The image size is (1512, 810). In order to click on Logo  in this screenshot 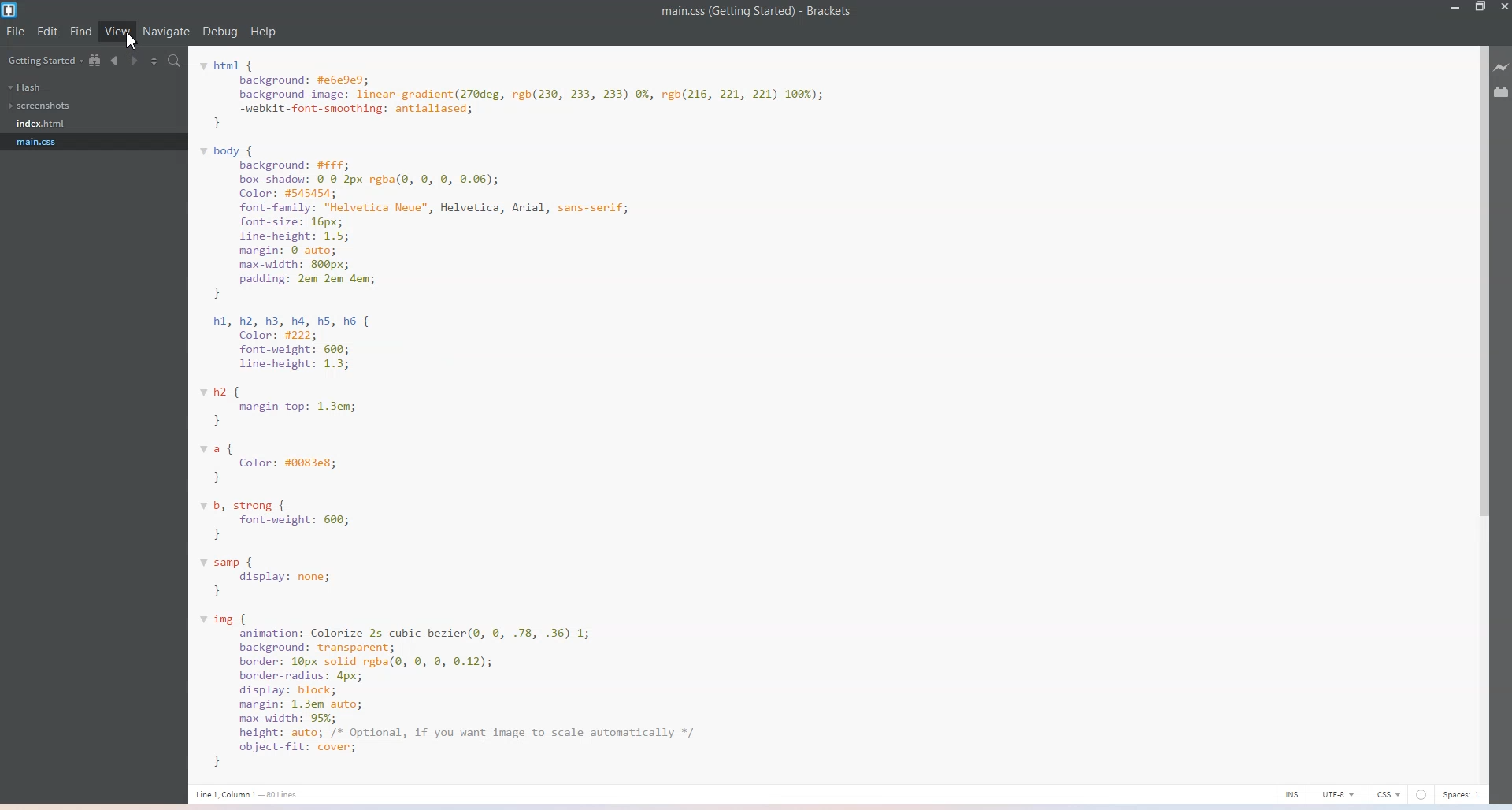, I will do `click(10, 9)`.